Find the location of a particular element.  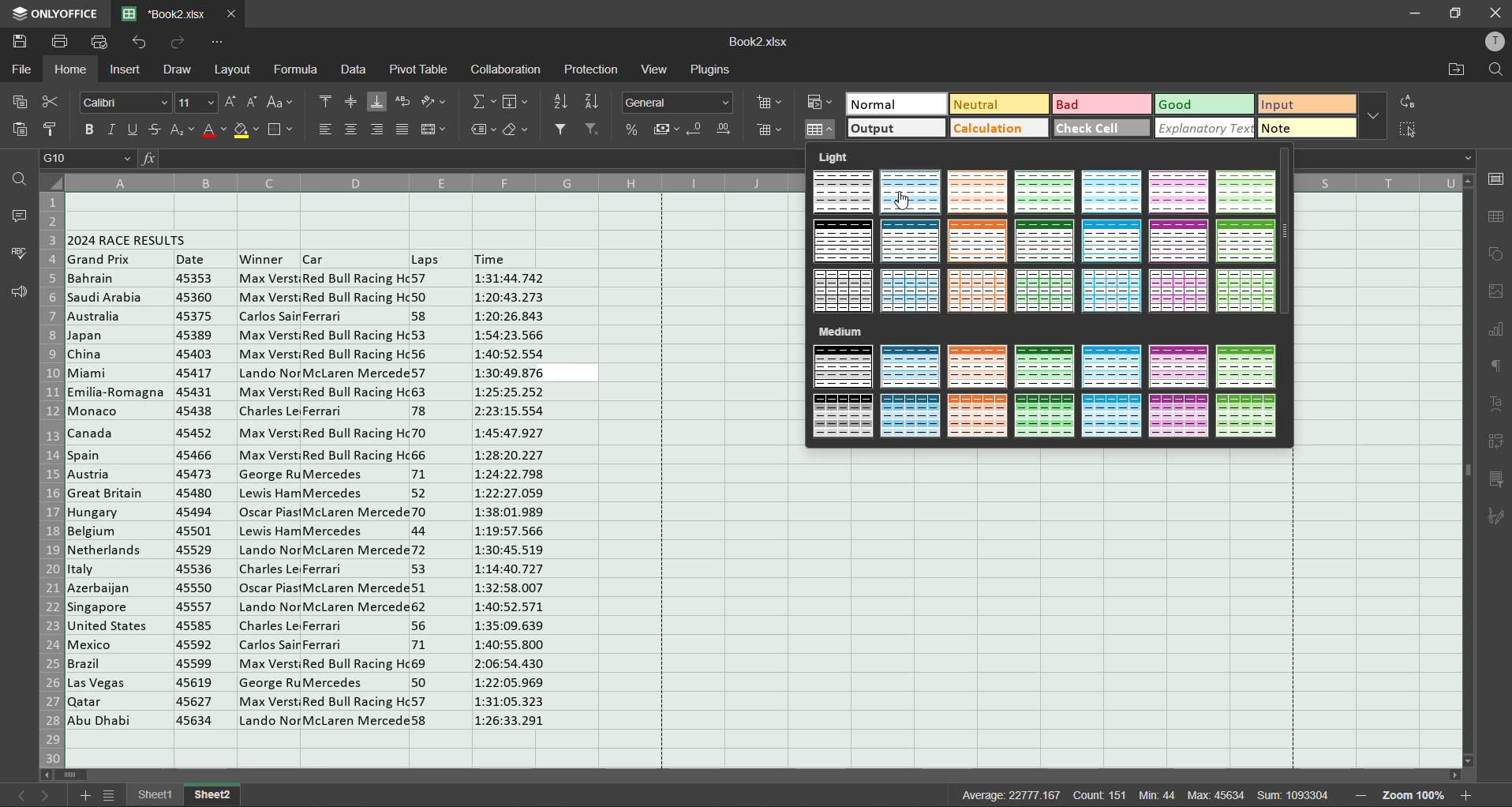

filter is located at coordinates (563, 129).